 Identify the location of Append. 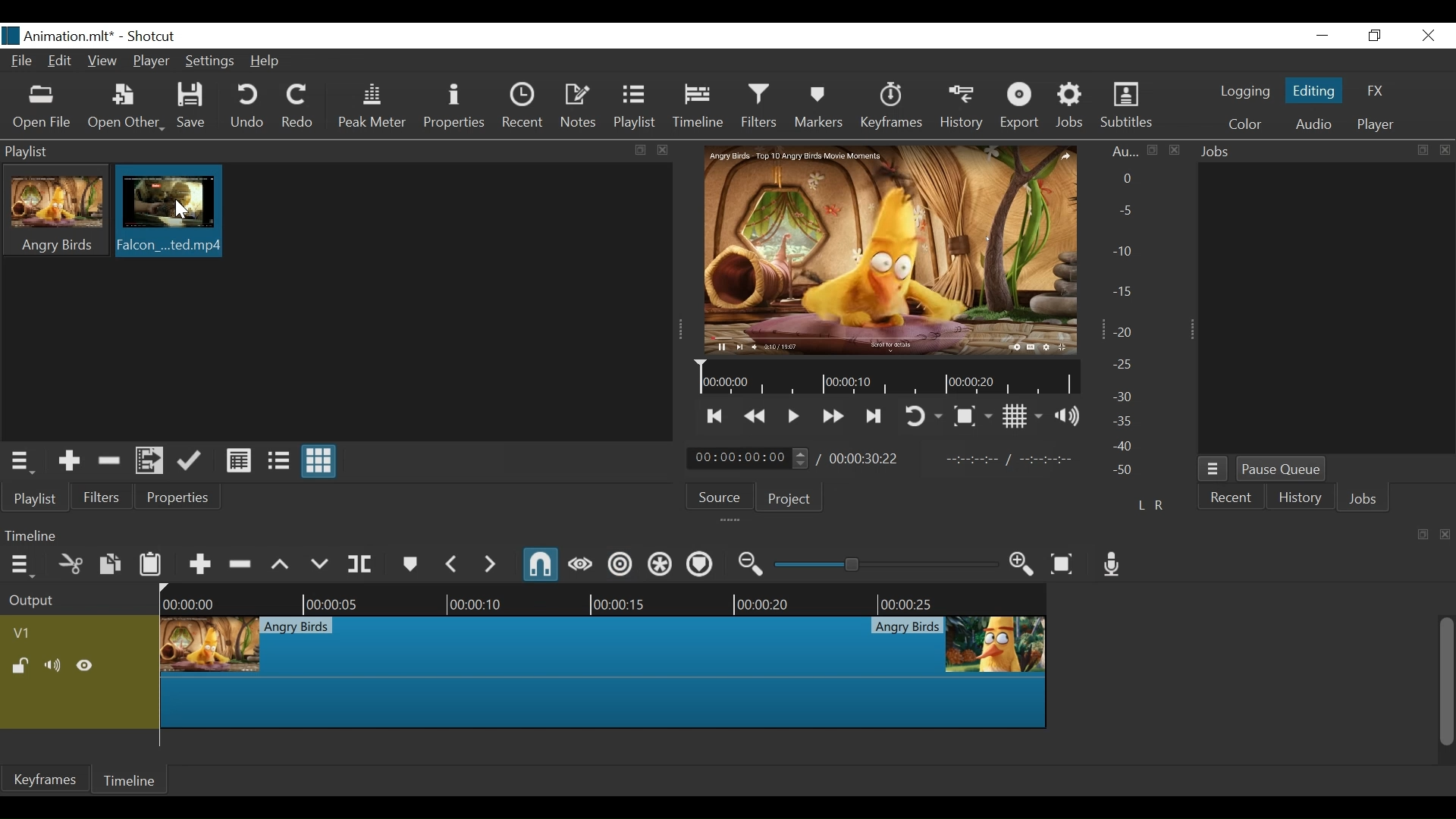
(199, 562).